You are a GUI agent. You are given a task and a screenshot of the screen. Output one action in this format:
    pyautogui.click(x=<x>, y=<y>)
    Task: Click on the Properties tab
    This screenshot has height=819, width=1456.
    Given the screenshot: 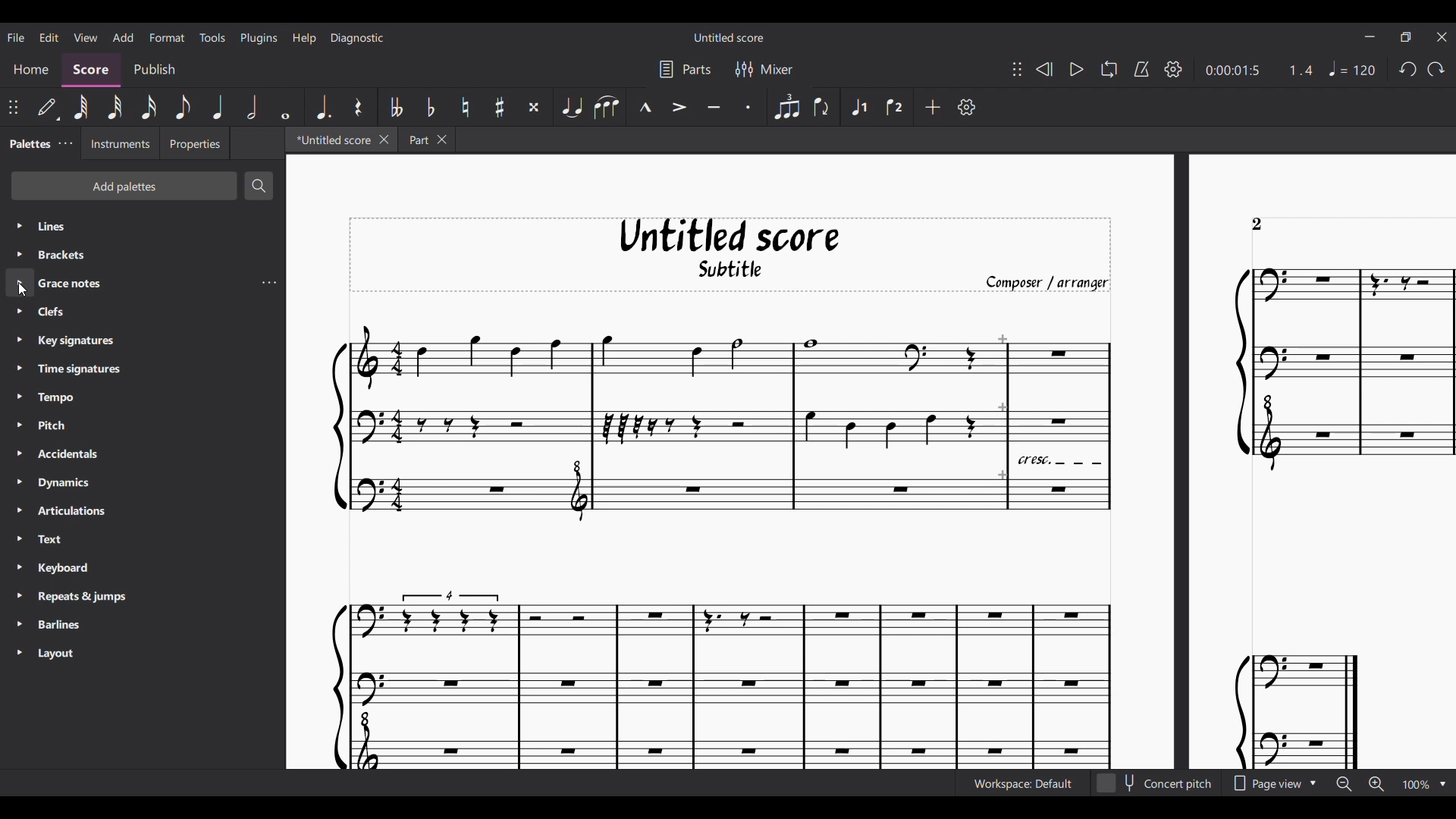 What is the action you would take?
    pyautogui.click(x=194, y=143)
    